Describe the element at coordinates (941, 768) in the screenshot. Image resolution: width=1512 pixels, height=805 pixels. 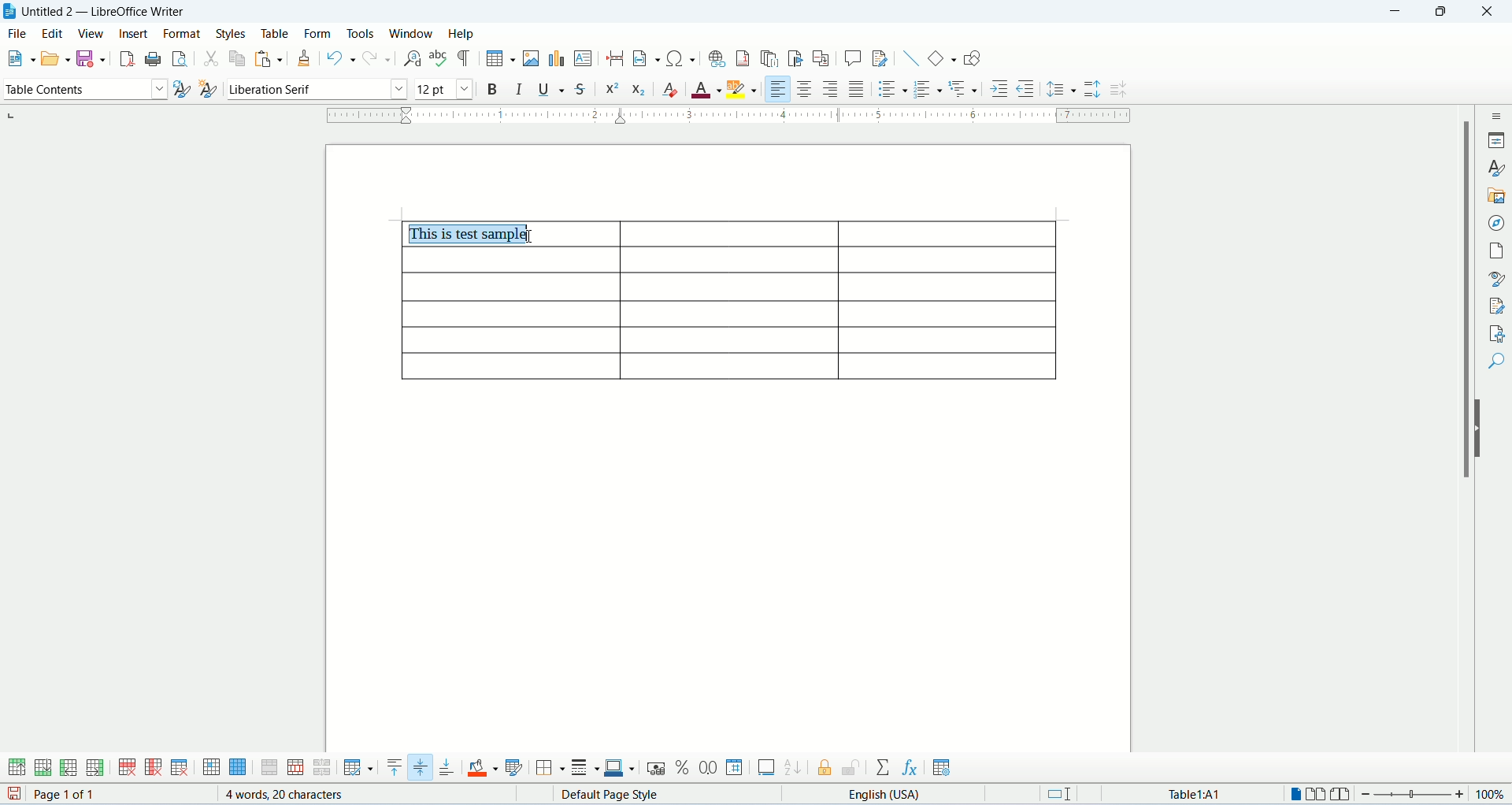
I see `table properties` at that location.